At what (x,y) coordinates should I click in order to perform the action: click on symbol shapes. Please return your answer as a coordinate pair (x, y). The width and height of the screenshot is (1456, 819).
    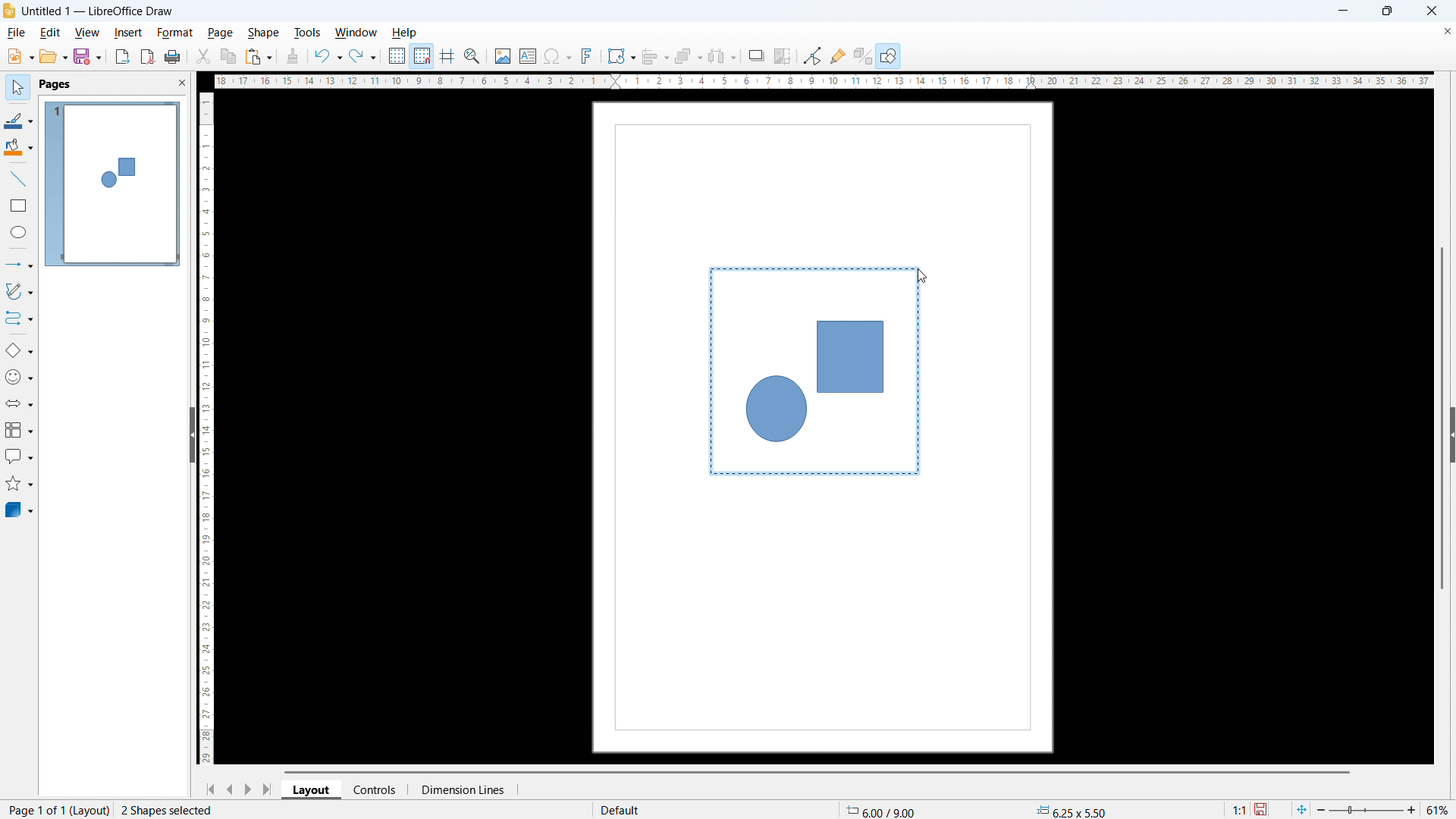
    Looking at the image, I should click on (19, 377).